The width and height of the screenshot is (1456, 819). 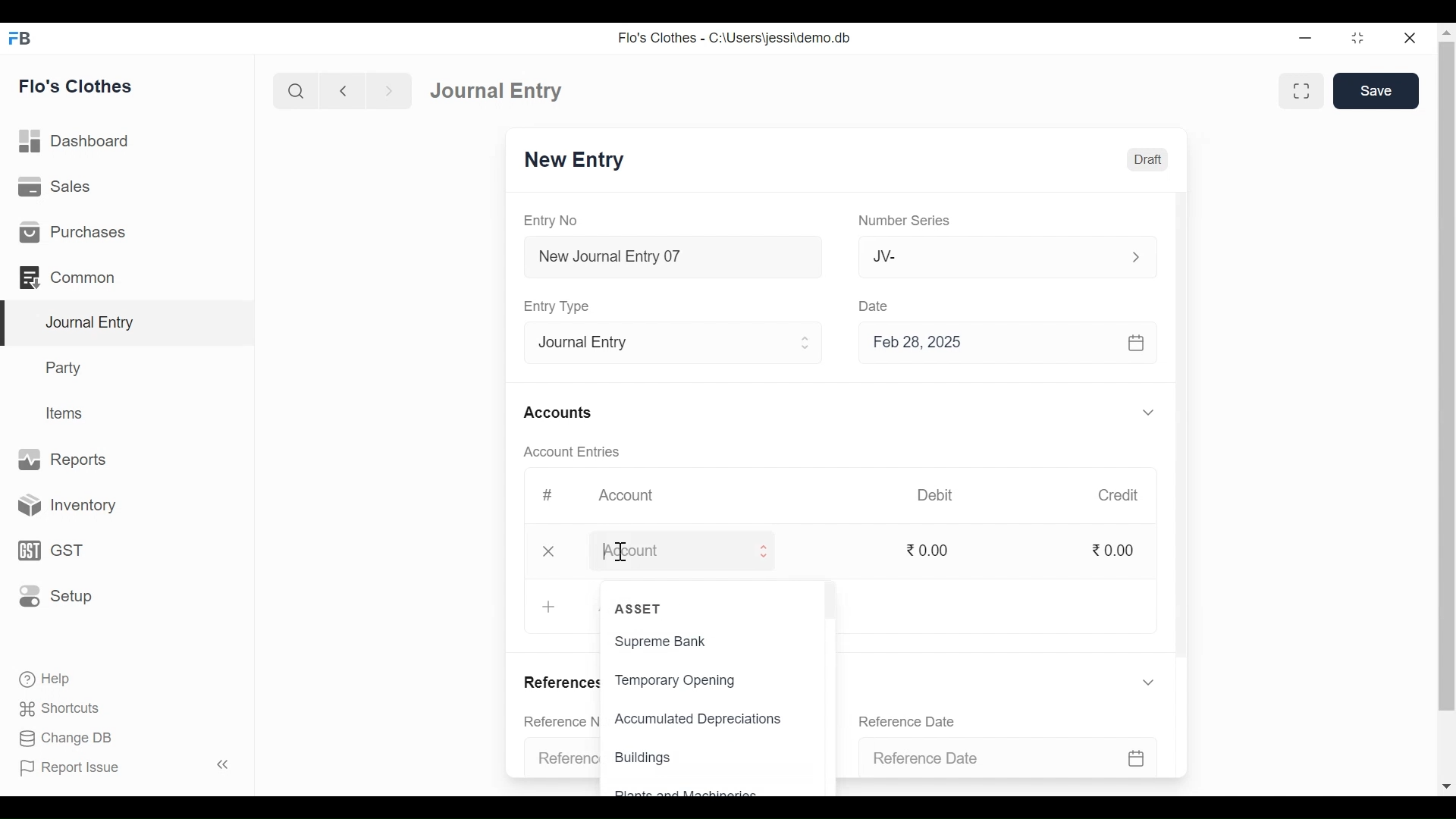 What do you see at coordinates (64, 458) in the screenshot?
I see `Reports` at bounding box center [64, 458].